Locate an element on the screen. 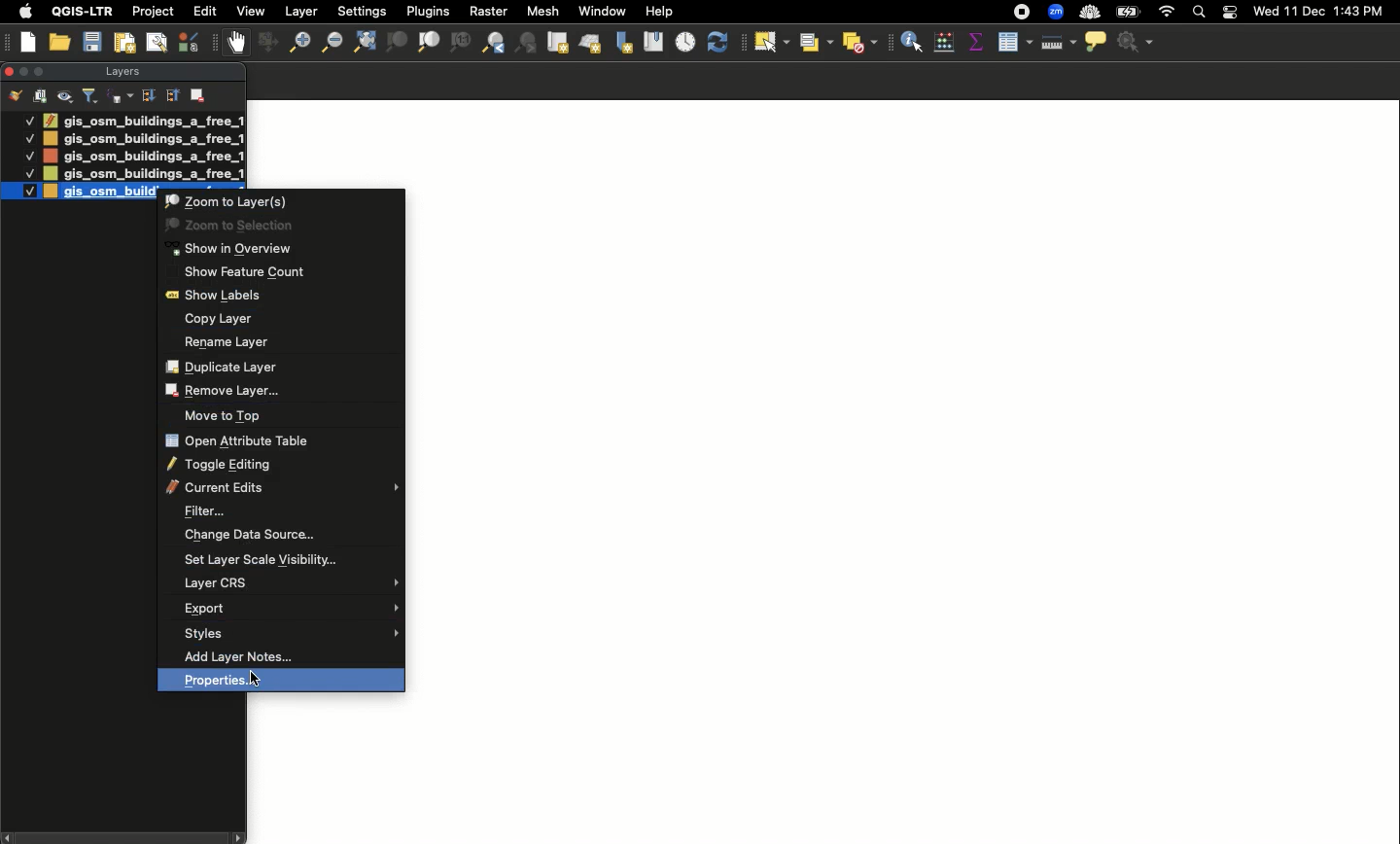  Plugins is located at coordinates (426, 10).